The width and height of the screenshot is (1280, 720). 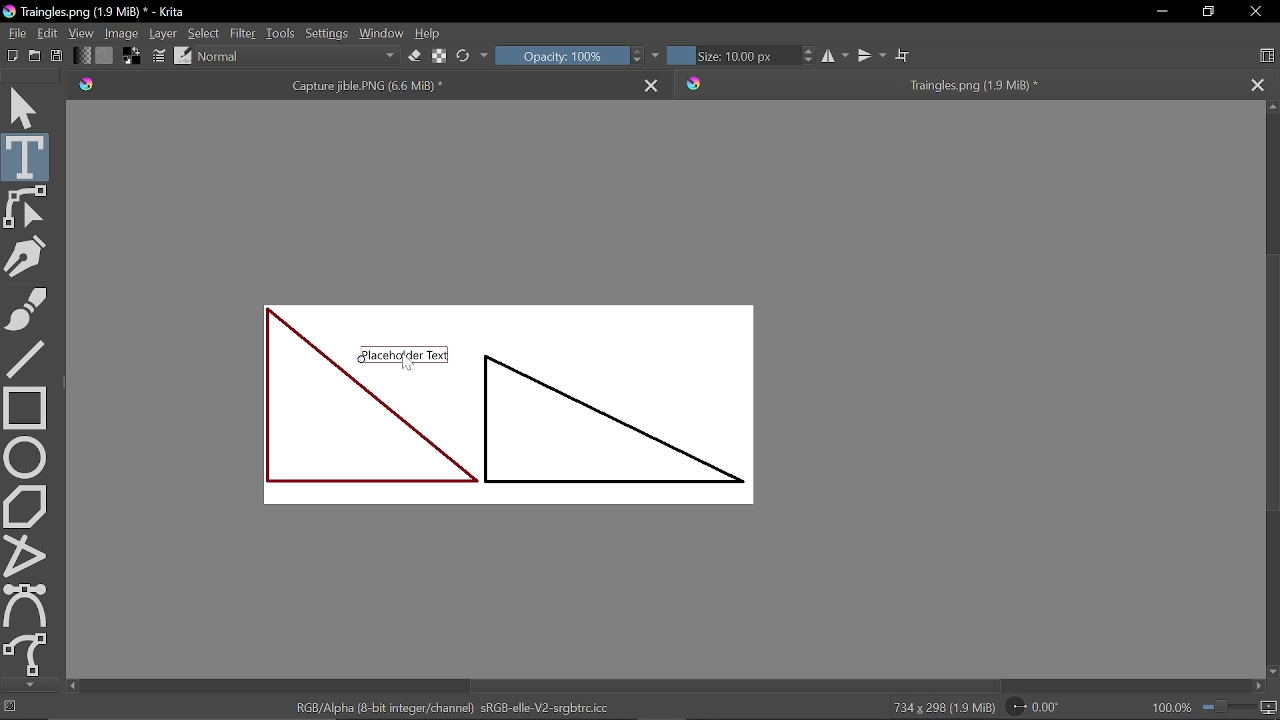 I want to click on Line tool, so click(x=25, y=360).